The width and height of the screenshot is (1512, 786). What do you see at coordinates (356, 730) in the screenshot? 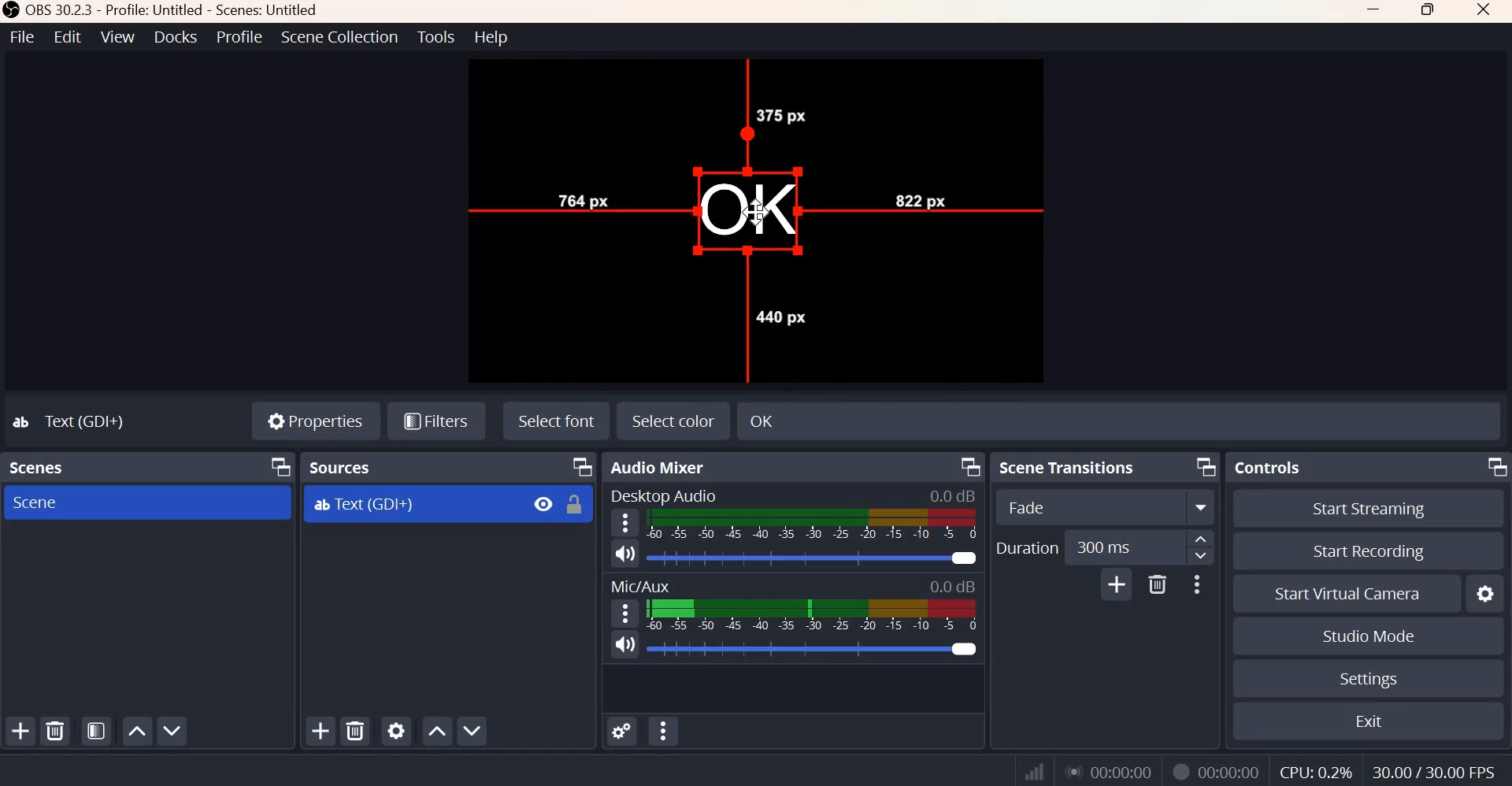
I see `remove selected source(s)` at bounding box center [356, 730].